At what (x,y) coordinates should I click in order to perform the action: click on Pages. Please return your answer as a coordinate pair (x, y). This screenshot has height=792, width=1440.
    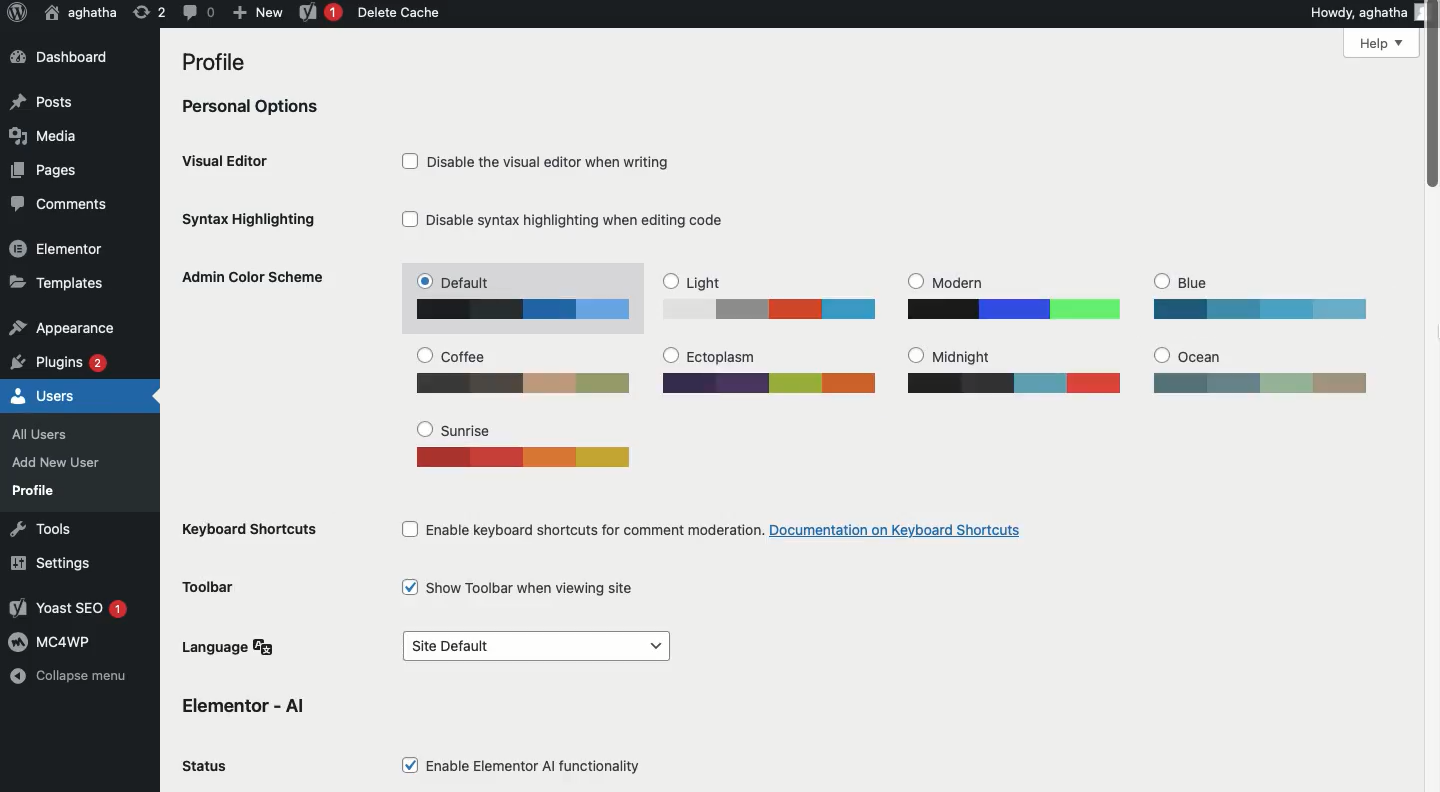
    Looking at the image, I should click on (46, 169).